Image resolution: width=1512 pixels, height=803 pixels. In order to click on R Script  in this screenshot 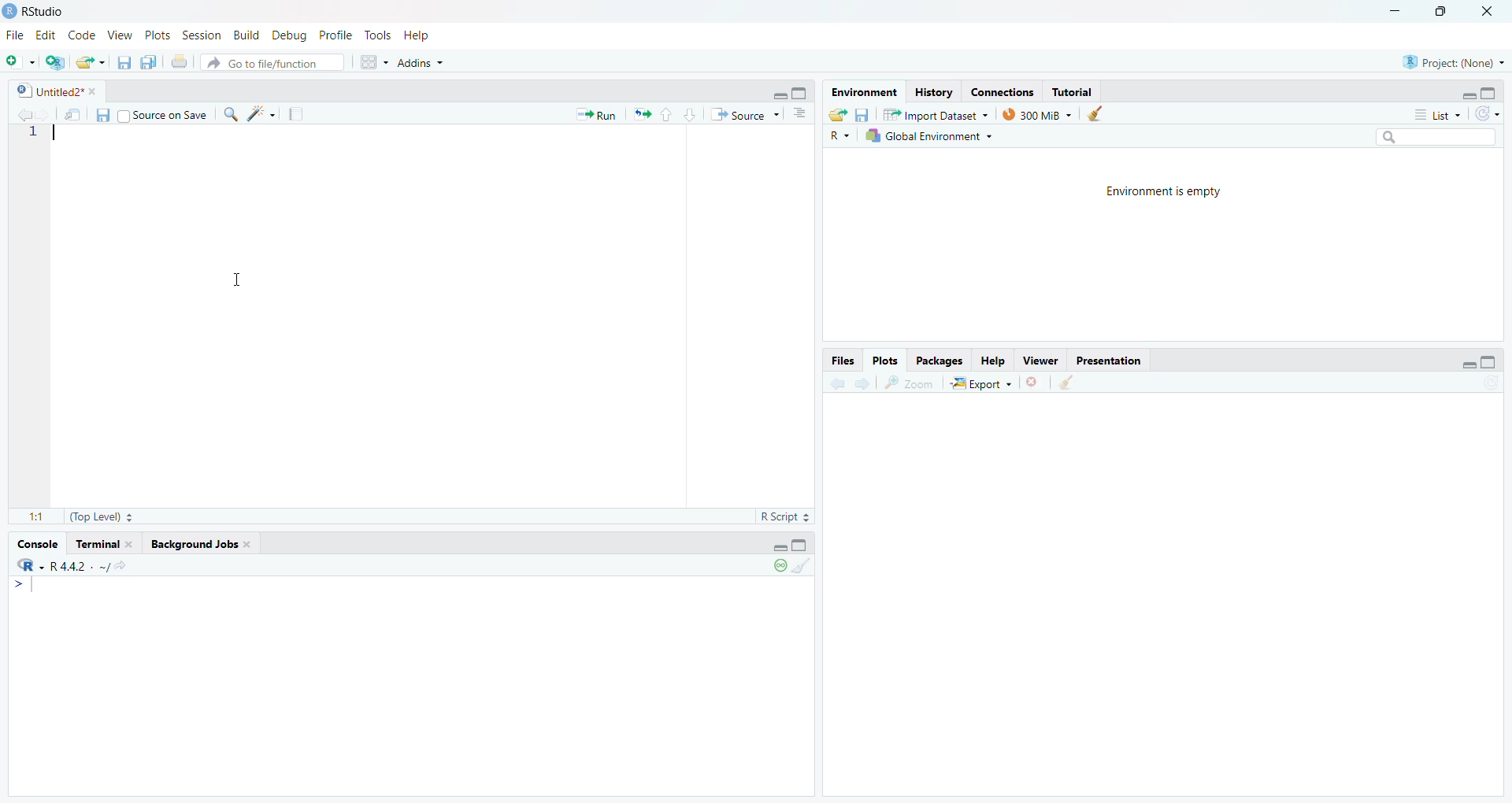, I will do `click(778, 516)`.